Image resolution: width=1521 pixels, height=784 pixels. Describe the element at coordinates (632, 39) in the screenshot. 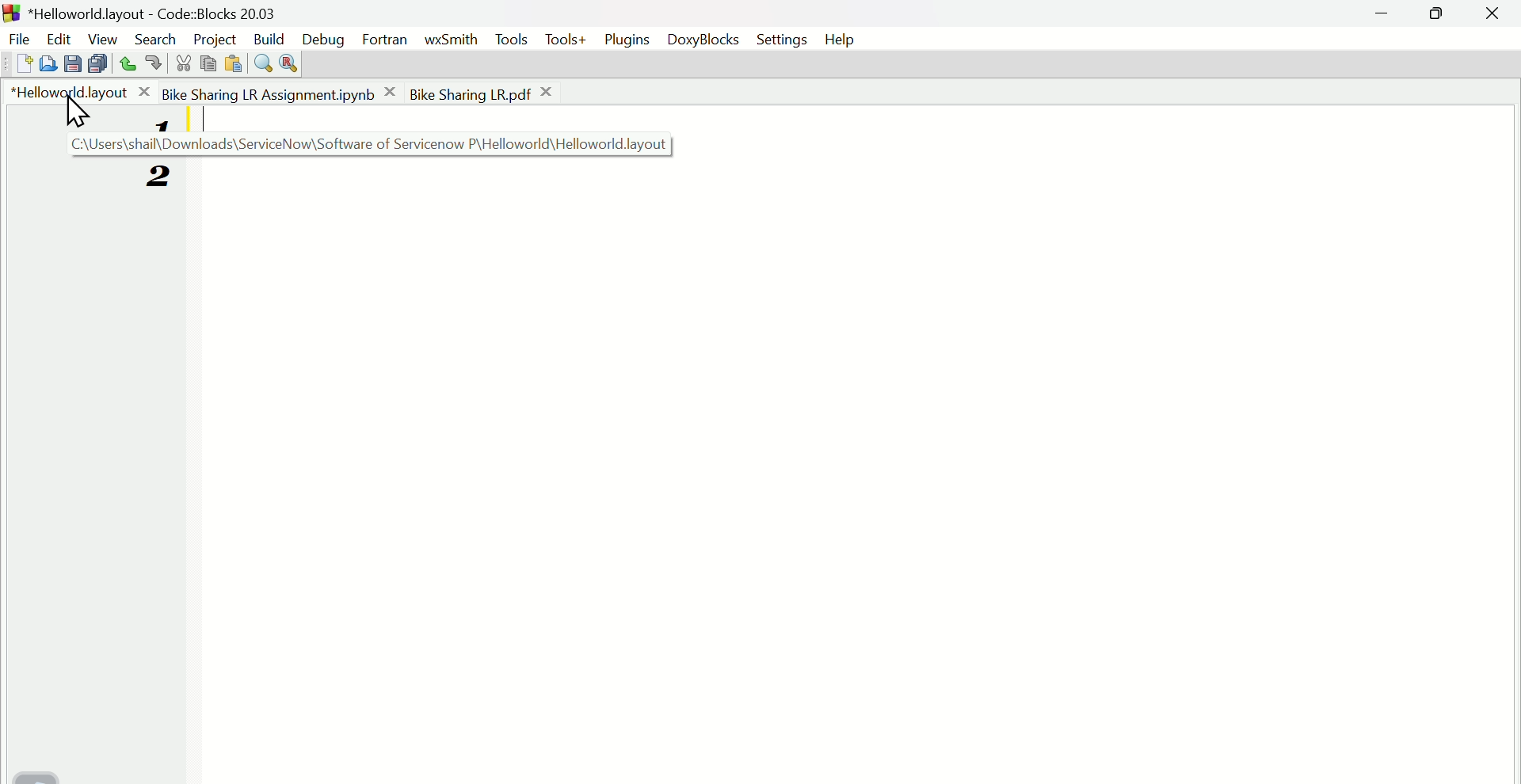

I see `Plugins` at that location.